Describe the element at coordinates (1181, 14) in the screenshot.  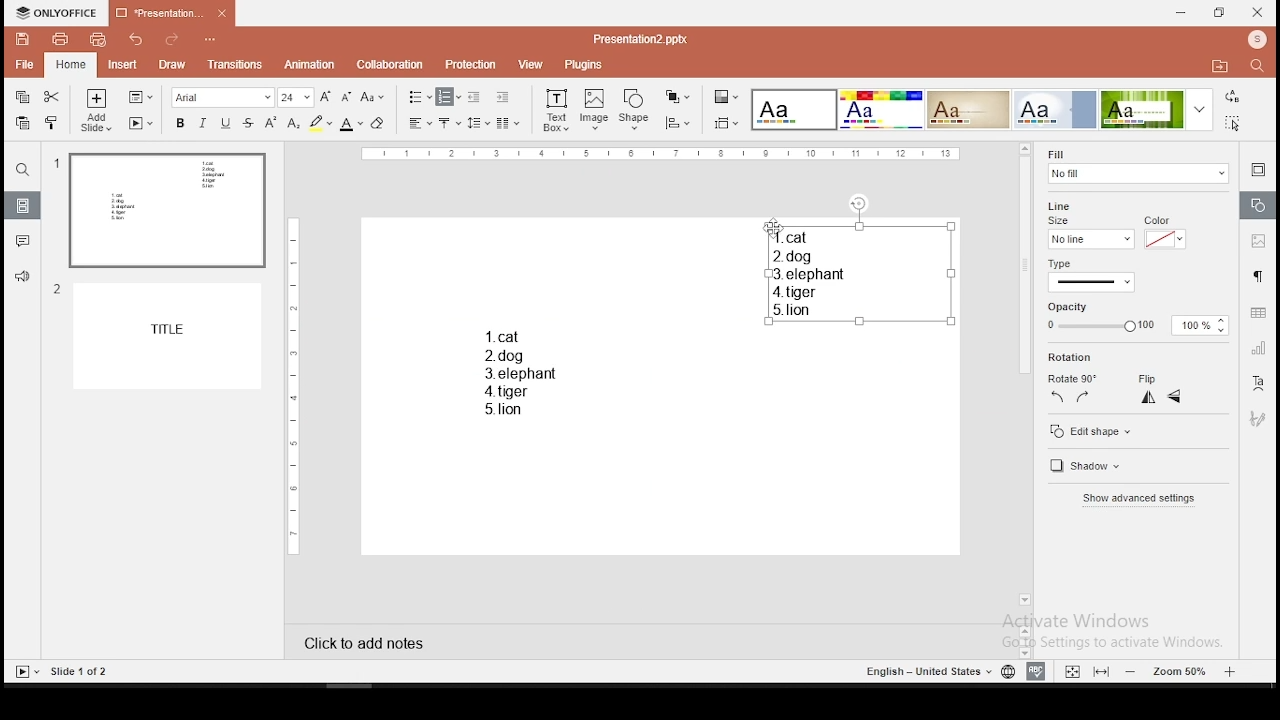
I see `minimize` at that location.